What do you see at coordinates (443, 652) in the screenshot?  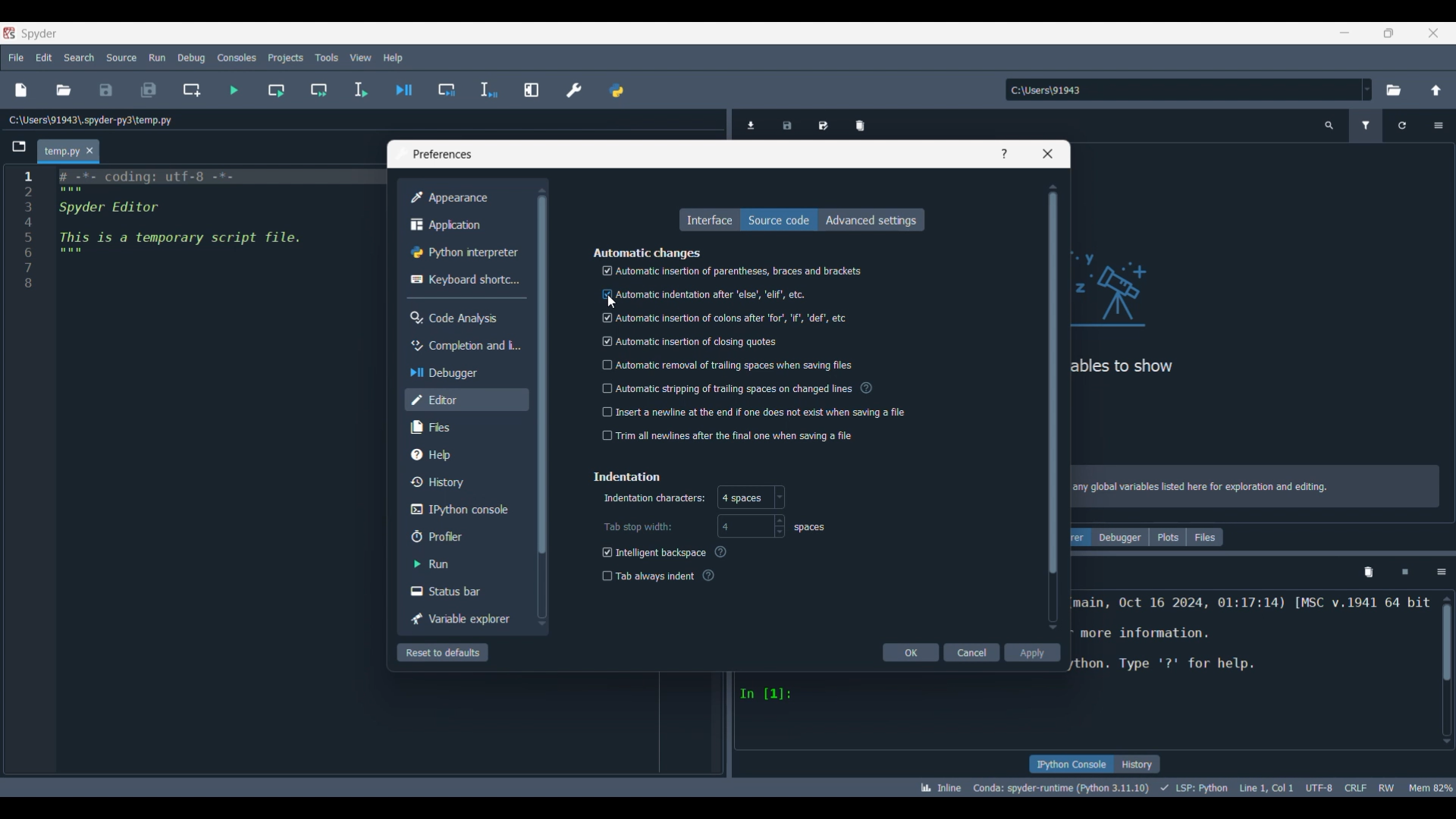 I see `Reset to defaults` at bounding box center [443, 652].